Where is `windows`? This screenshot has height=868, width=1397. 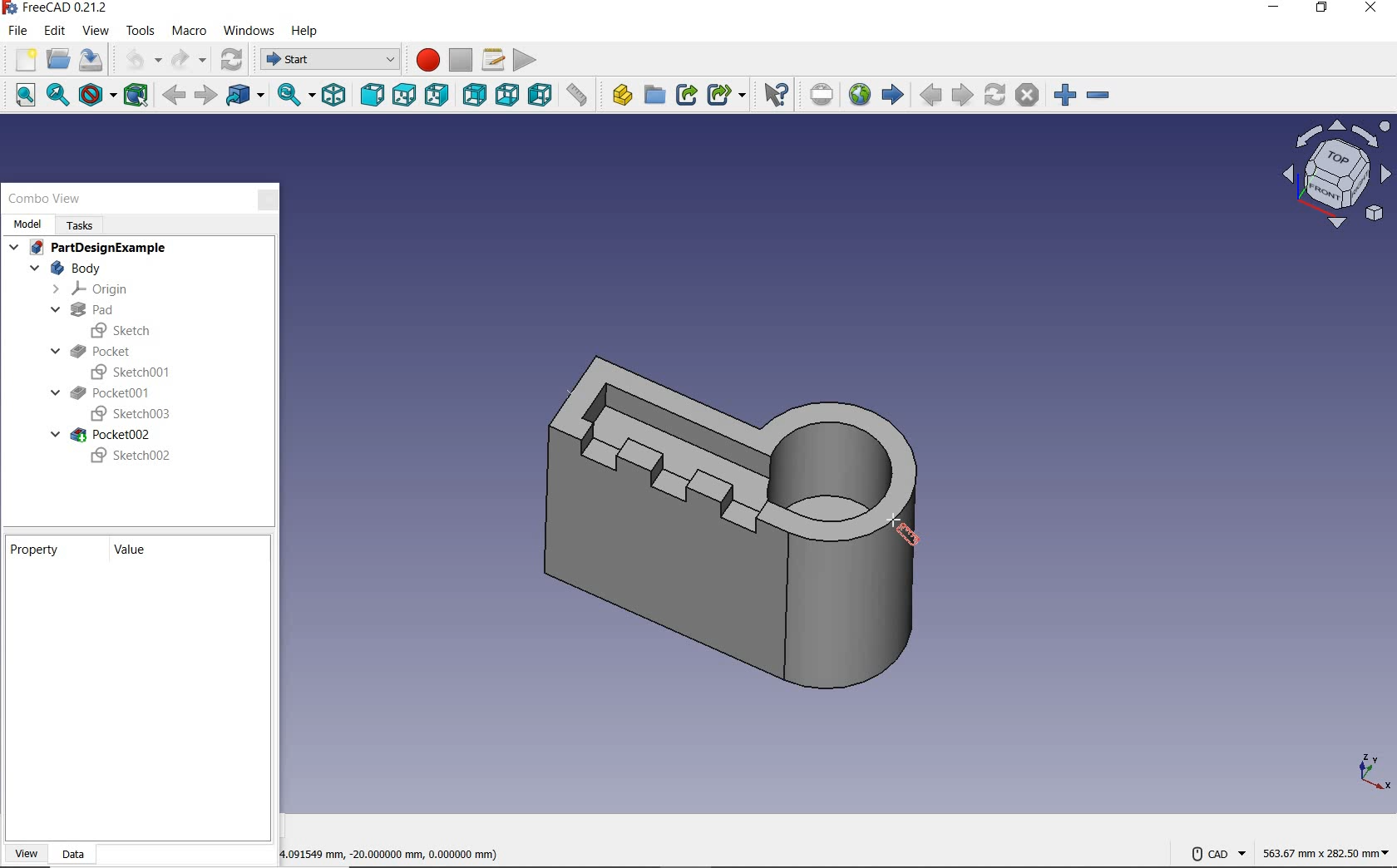
windows is located at coordinates (250, 32).